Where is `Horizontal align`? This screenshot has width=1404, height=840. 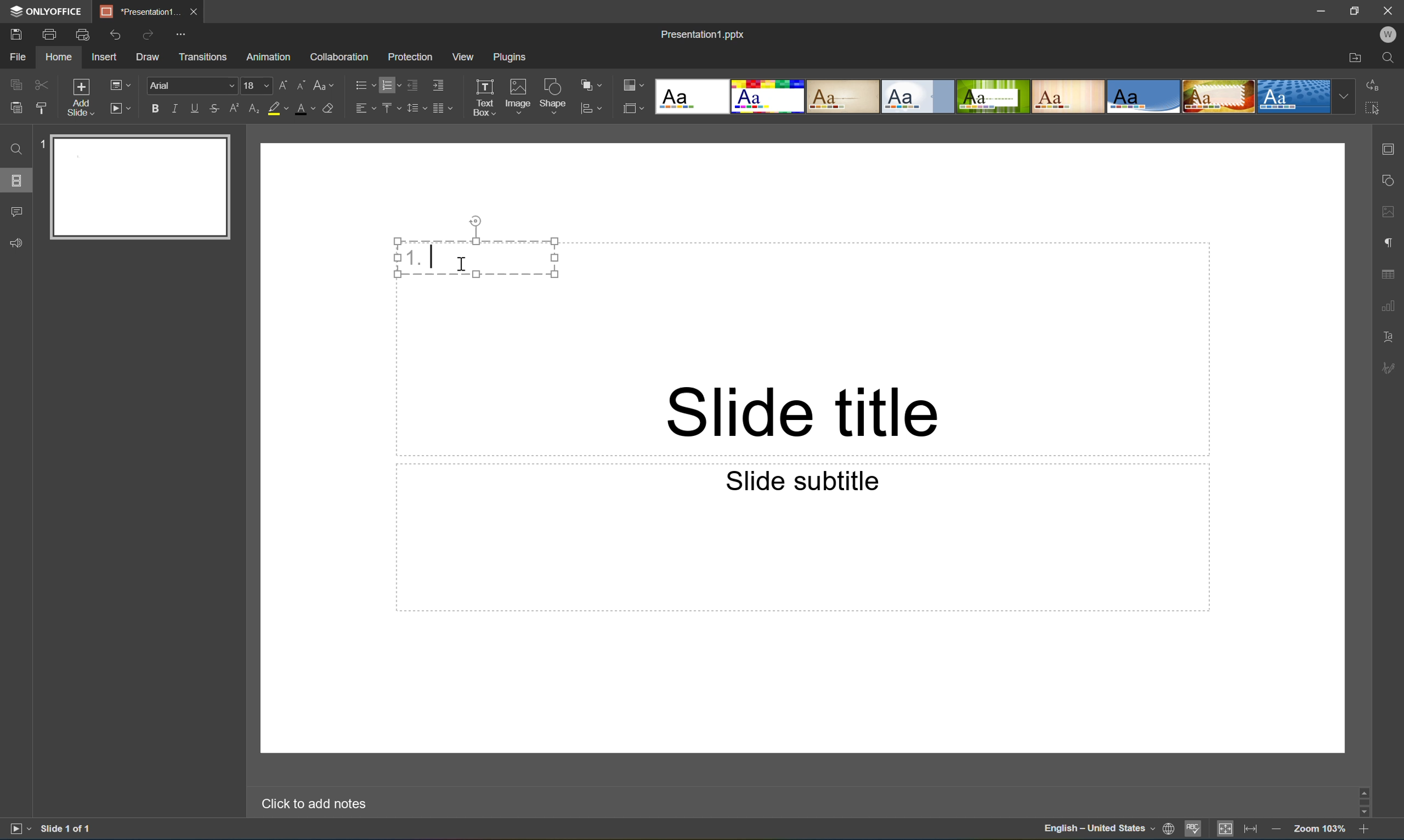 Horizontal align is located at coordinates (363, 107).